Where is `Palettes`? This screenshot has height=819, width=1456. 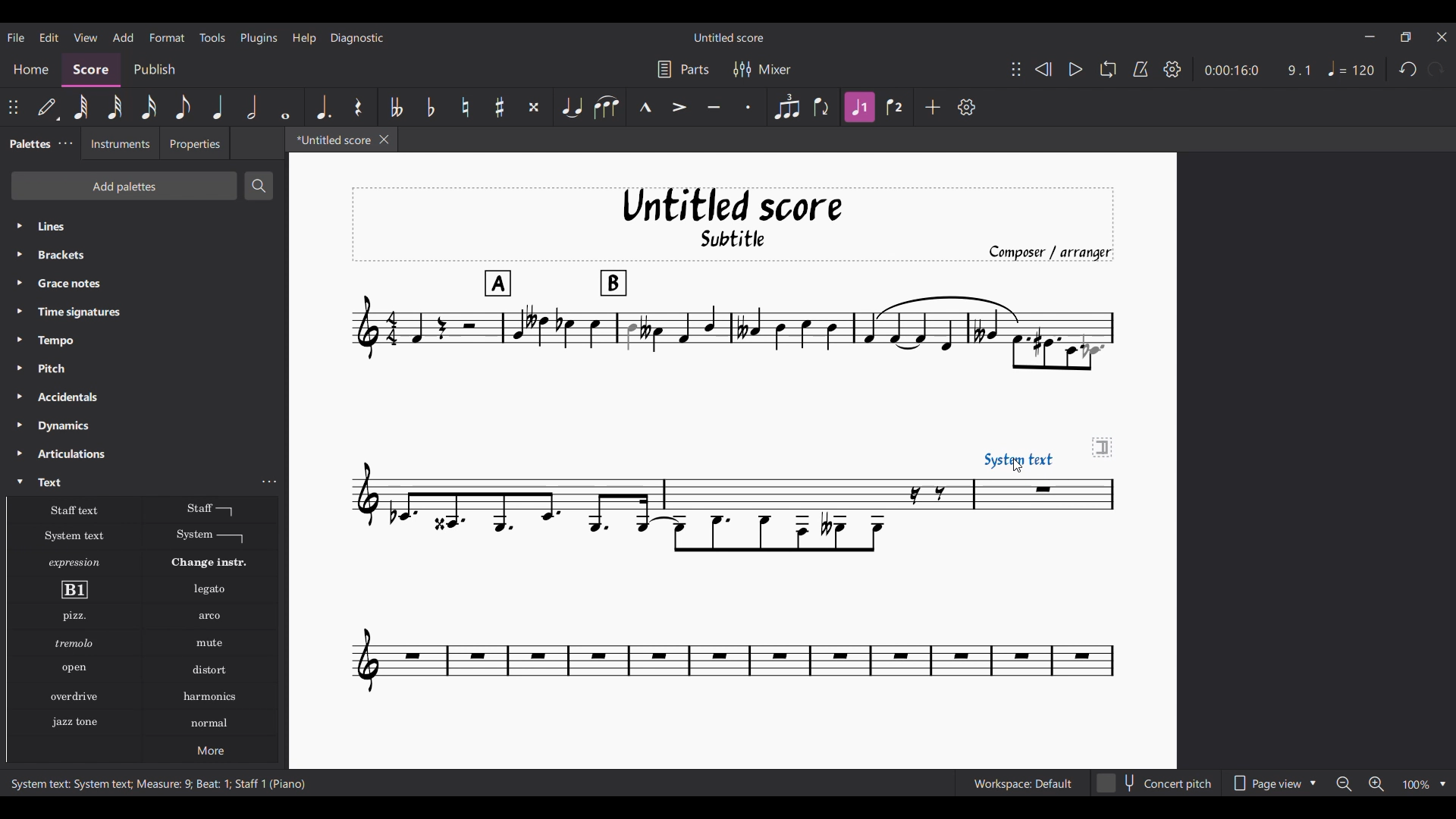
Palettes is located at coordinates (27, 145).